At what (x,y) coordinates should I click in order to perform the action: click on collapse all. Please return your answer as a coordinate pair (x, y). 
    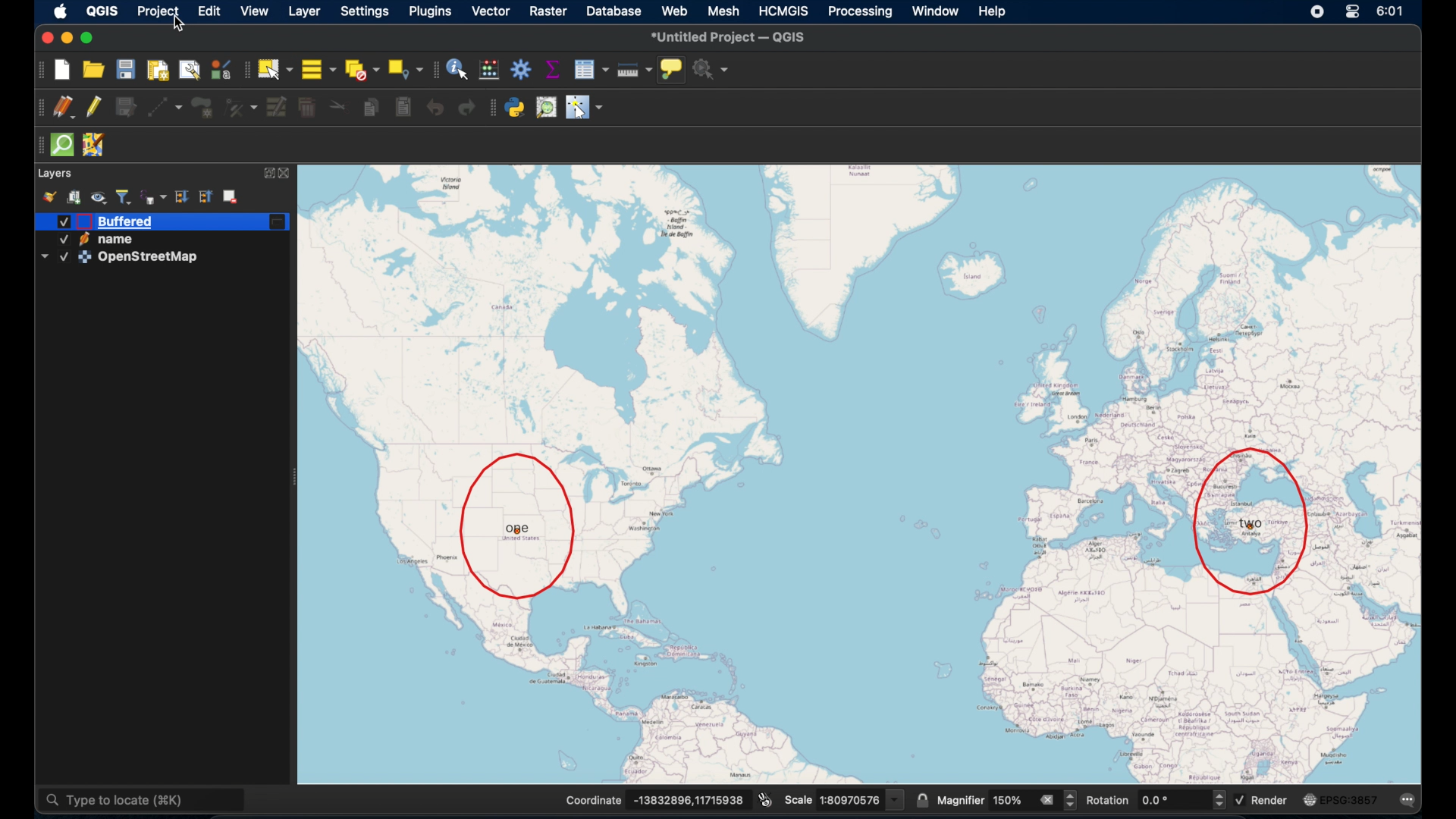
    Looking at the image, I should click on (206, 197).